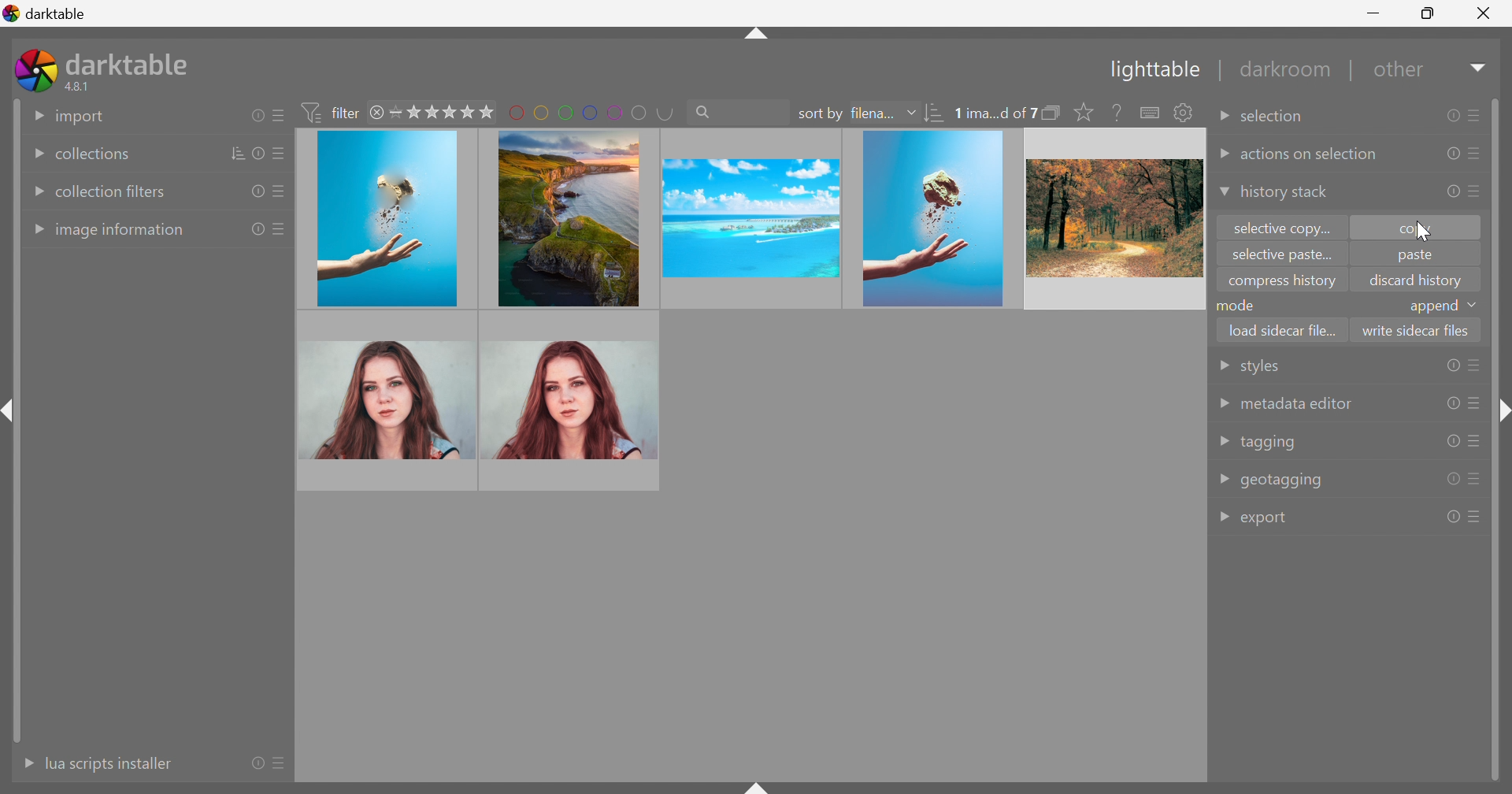  I want to click on presets, so click(1478, 153).